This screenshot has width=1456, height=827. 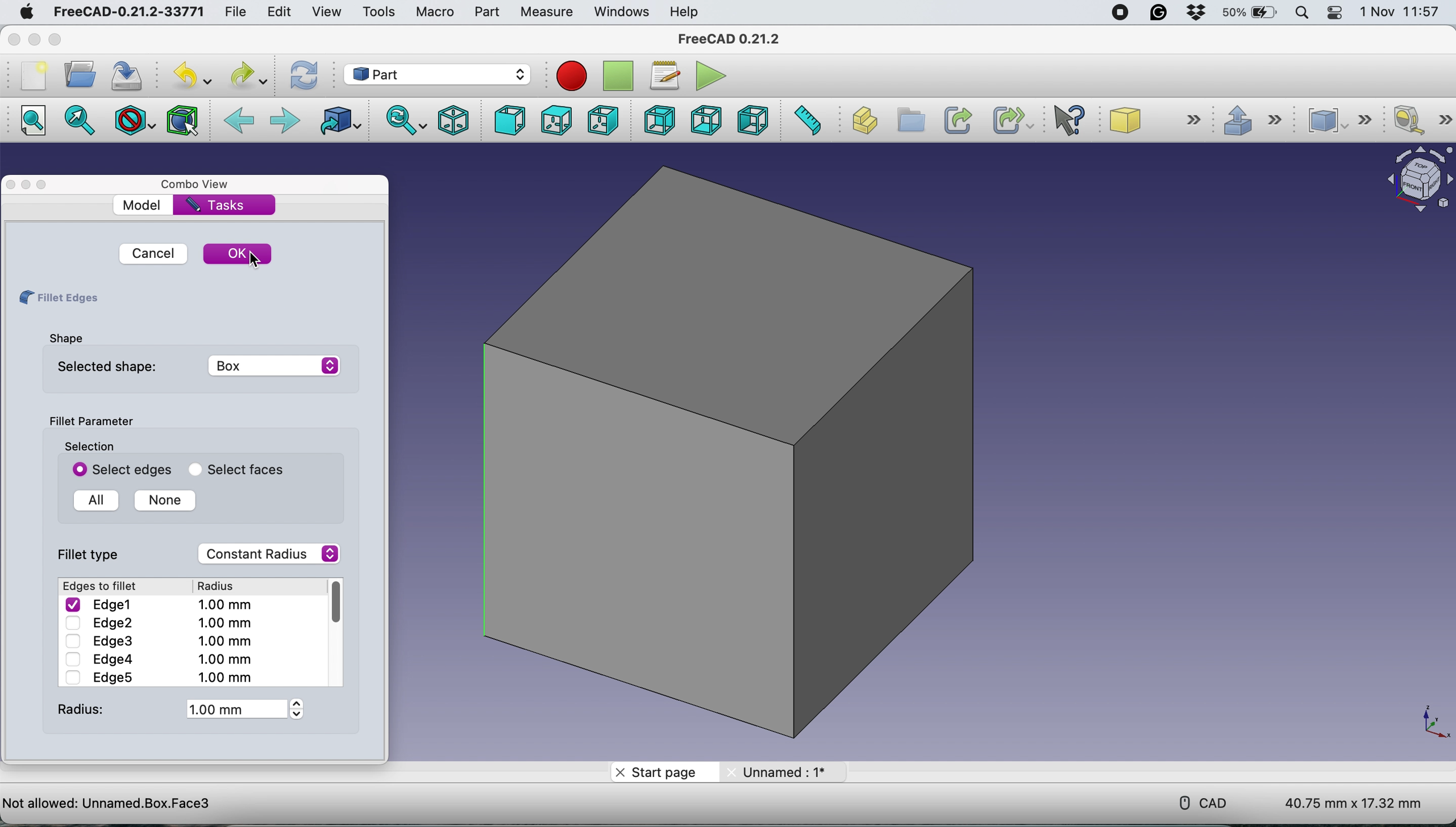 I want to click on Edges to fillet, so click(x=102, y=586).